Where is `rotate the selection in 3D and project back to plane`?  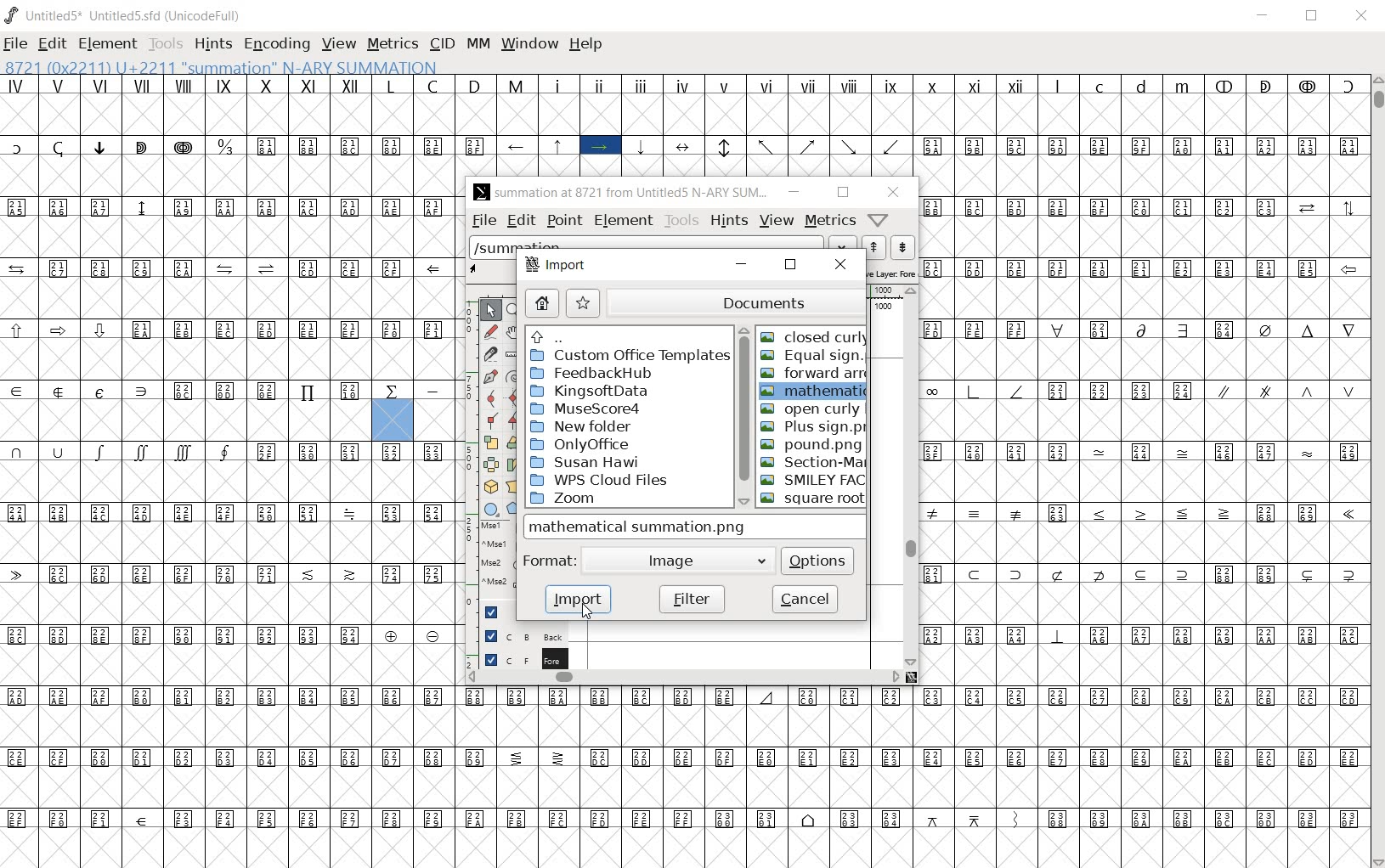
rotate the selection in 3D and project back to plane is located at coordinates (491, 486).